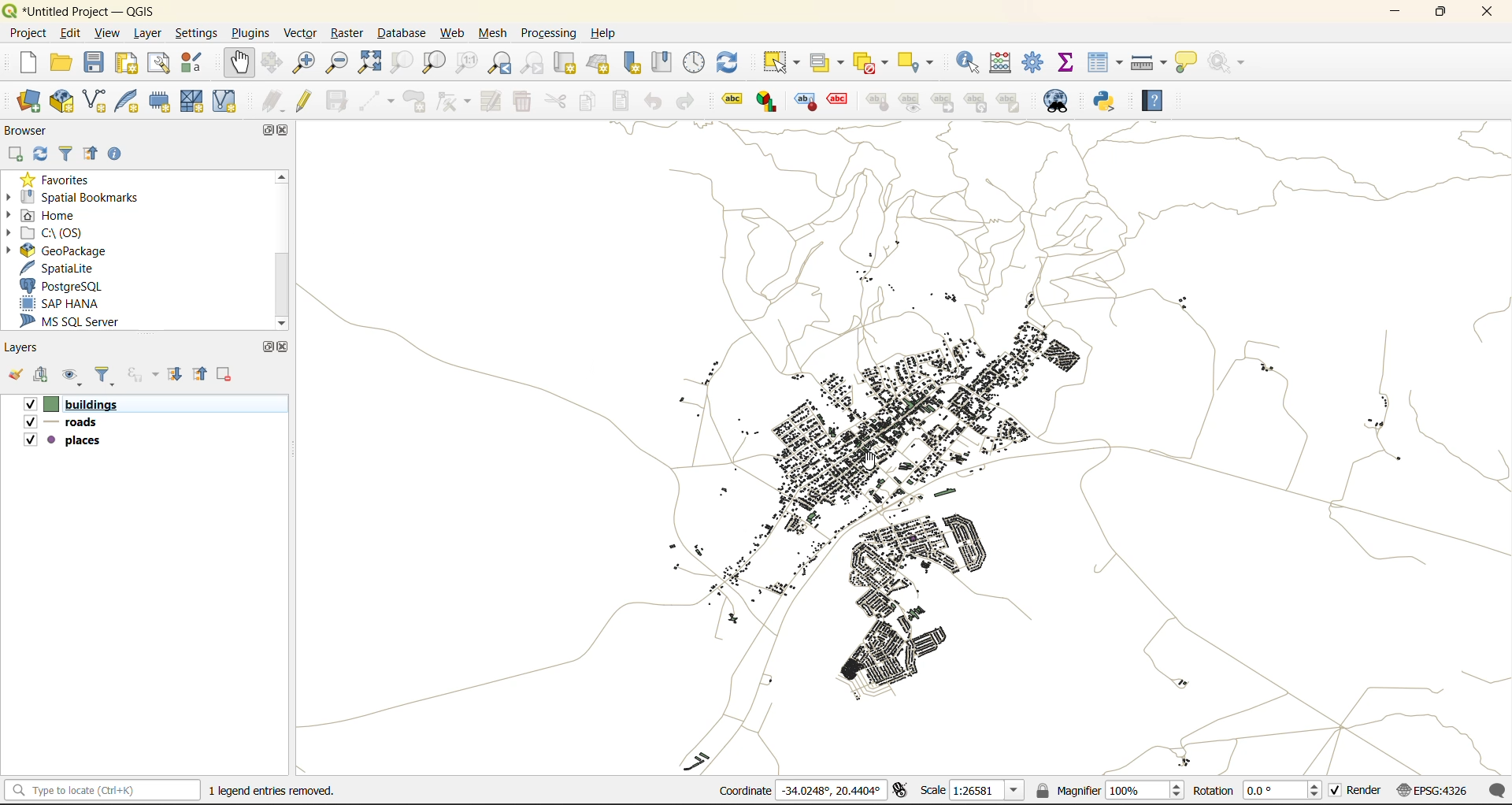 The height and width of the screenshot is (805, 1512). What do you see at coordinates (69, 439) in the screenshot?
I see `places` at bounding box center [69, 439].